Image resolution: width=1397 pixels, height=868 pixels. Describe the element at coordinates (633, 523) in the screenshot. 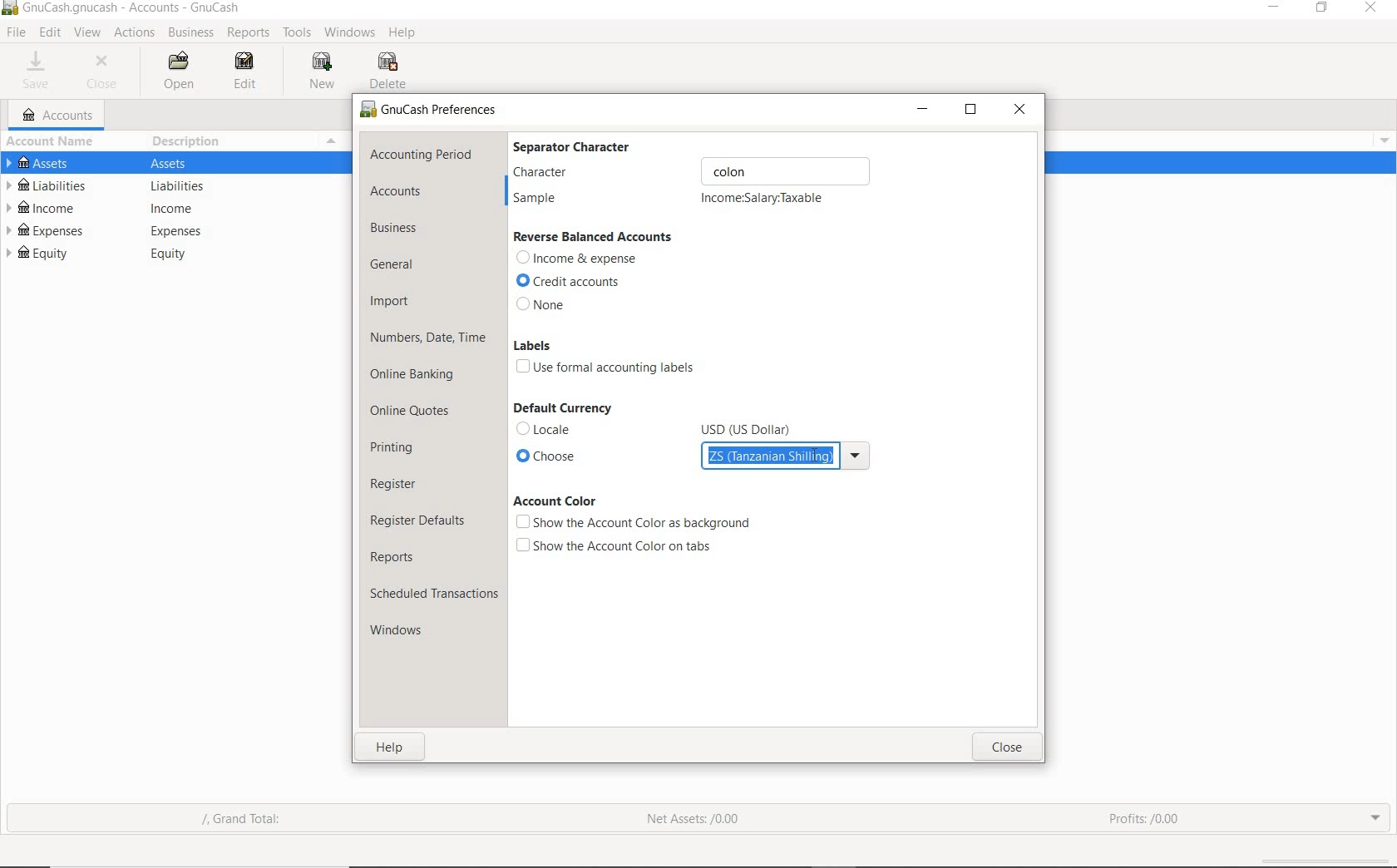

I see `show the account color as background` at that location.